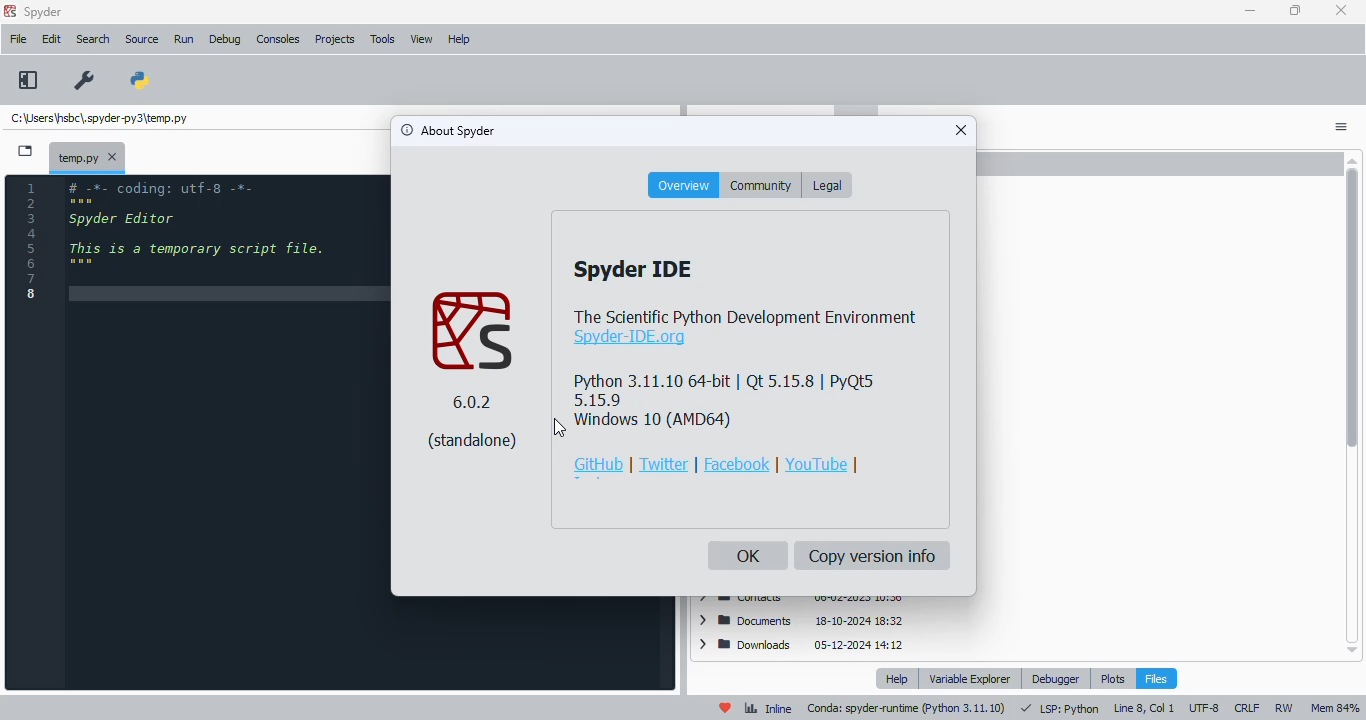 The width and height of the screenshot is (1366, 720). I want to click on help, so click(898, 678).